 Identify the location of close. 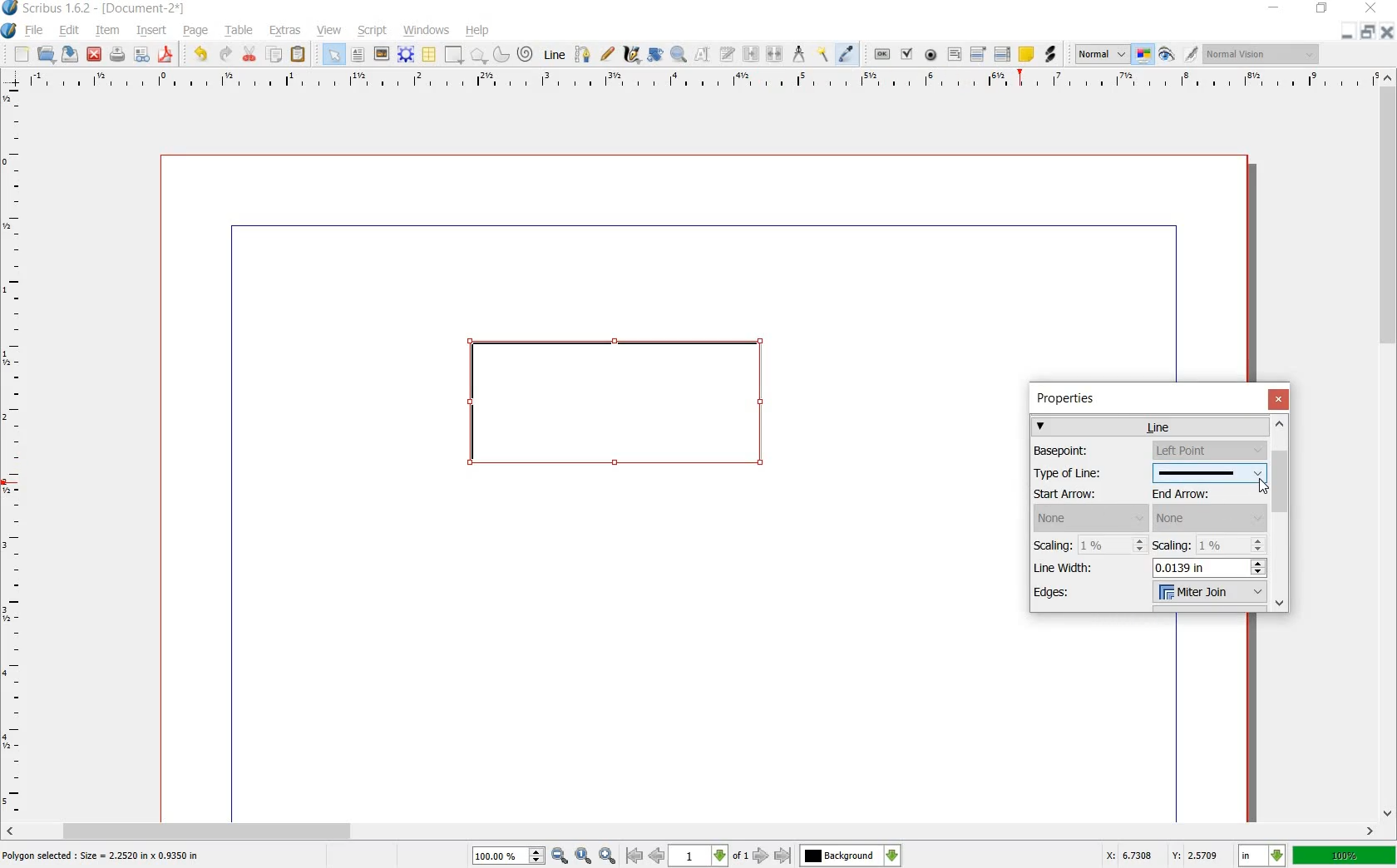
(1278, 398).